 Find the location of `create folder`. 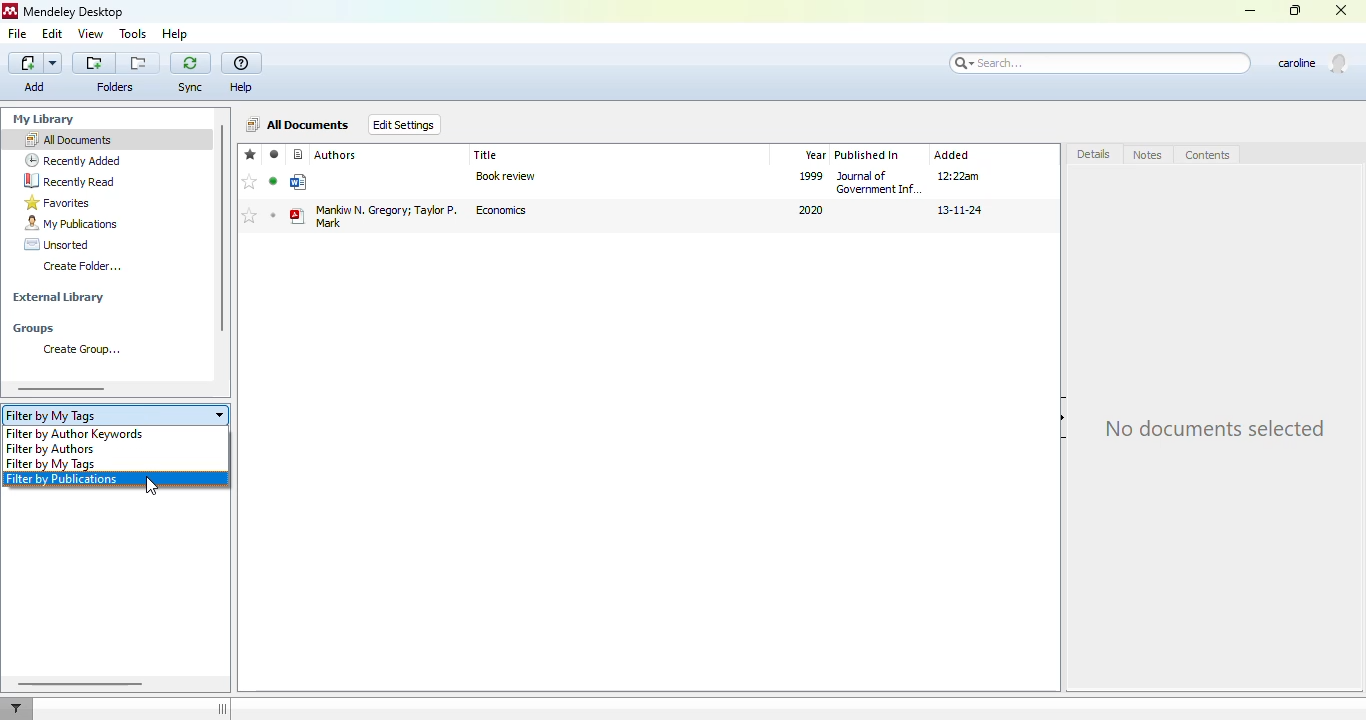

create folder is located at coordinates (82, 266).